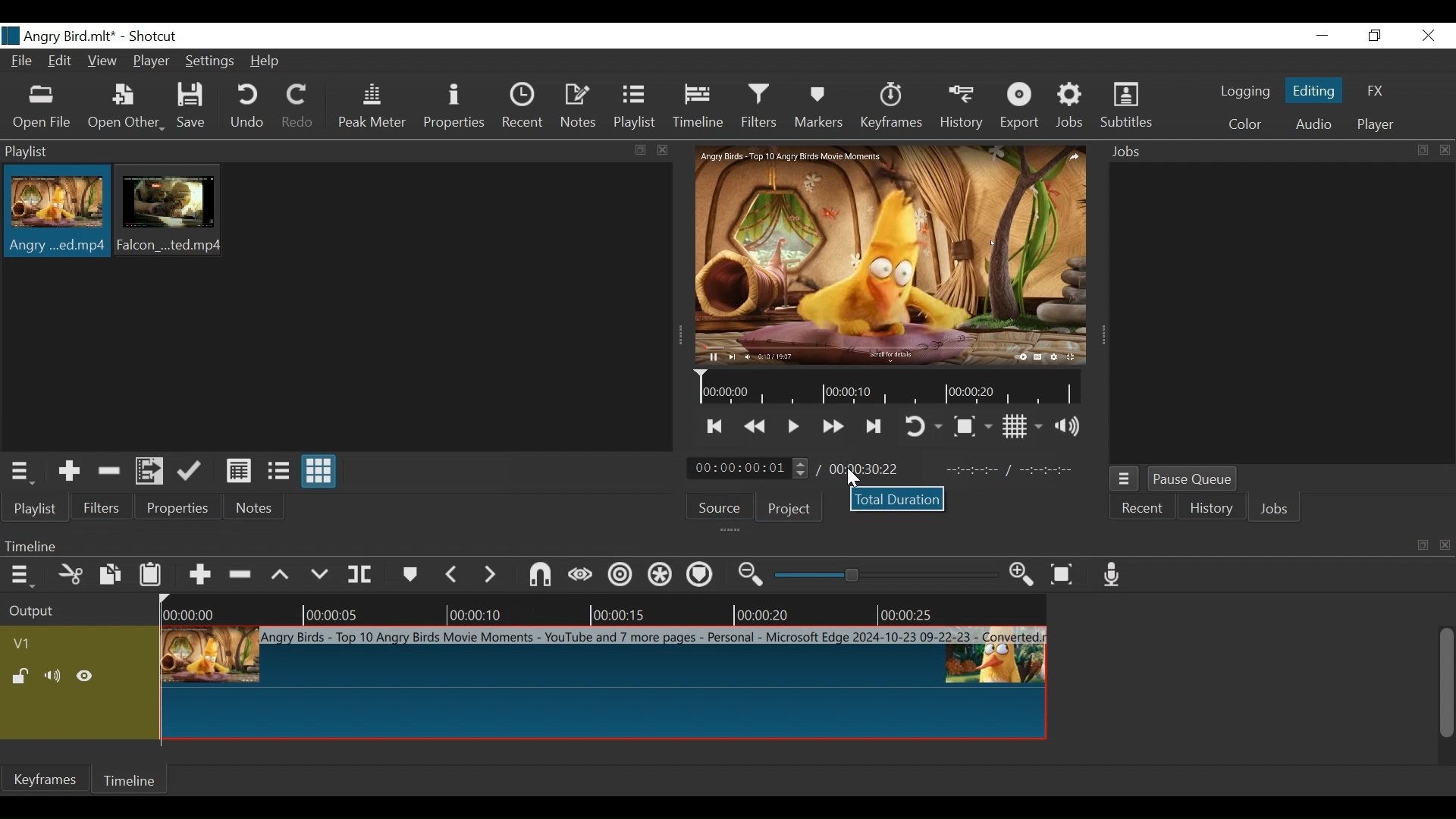  Describe the element at coordinates (372, 106) in the screenshot. I see `Peak Meter` at that location.